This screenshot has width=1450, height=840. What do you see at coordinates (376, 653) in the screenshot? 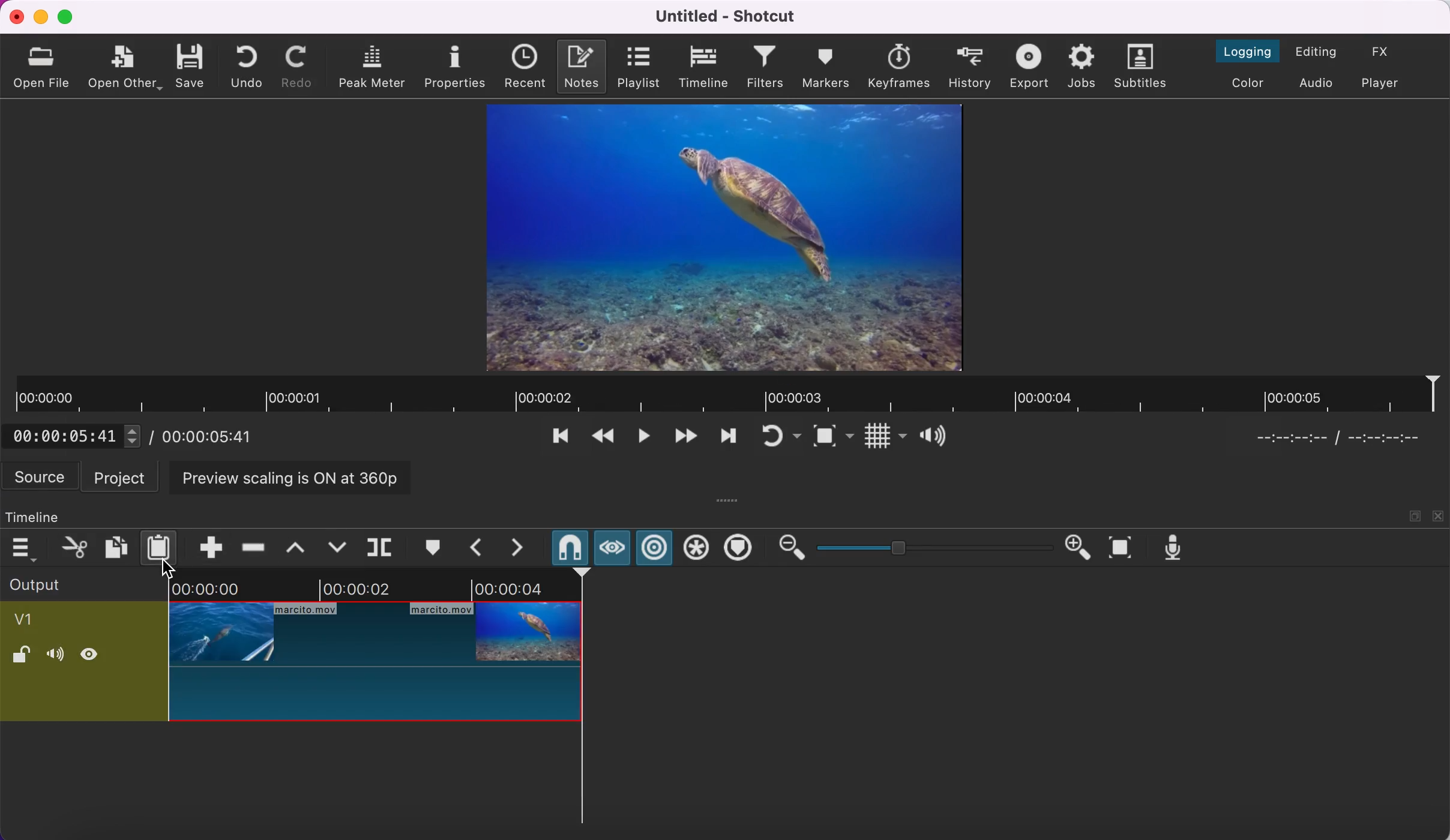
I see `cropped clip` at bounding box center [376, 653].